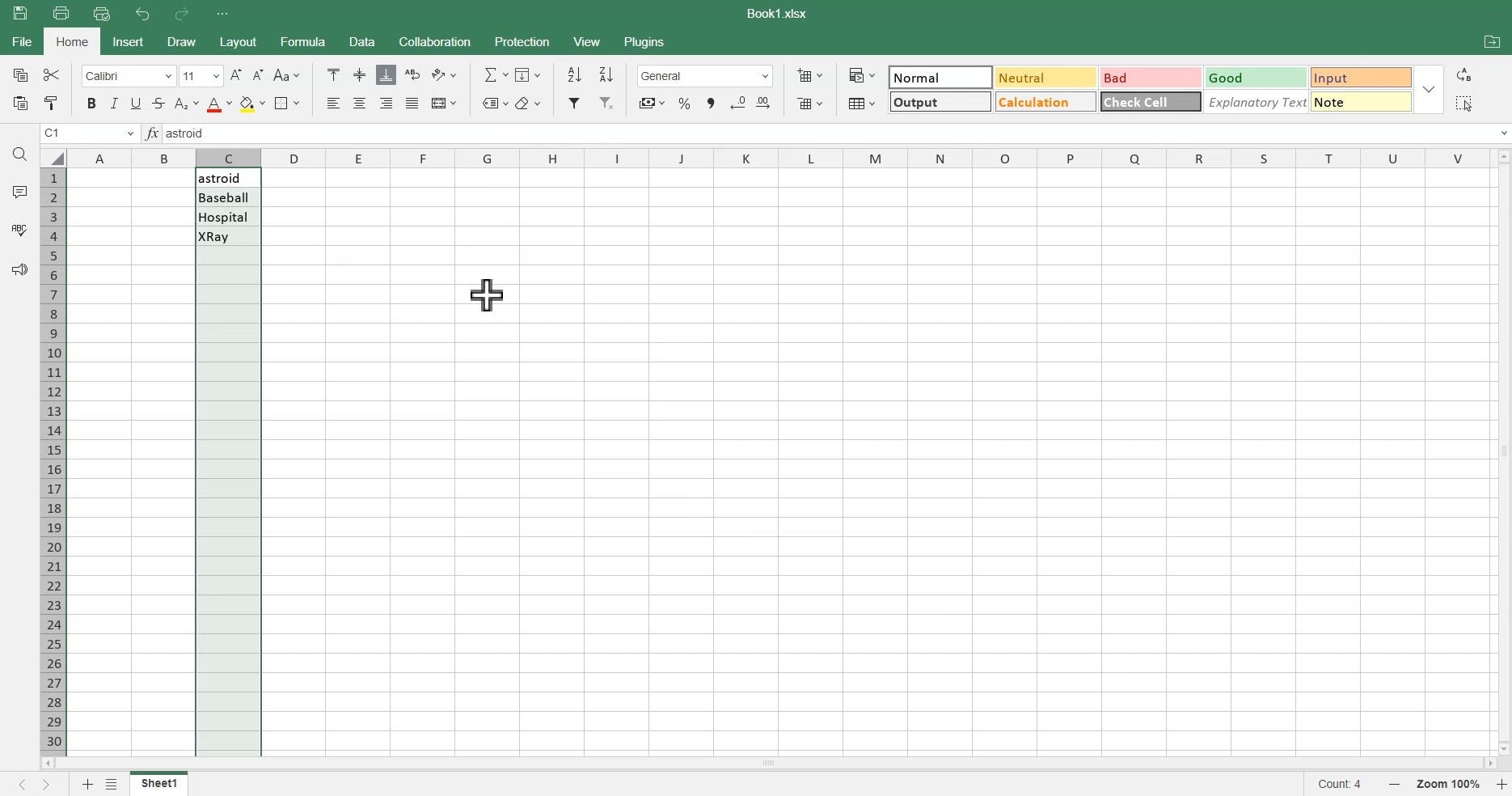 The height and width of the screenshot is (796, 1512). I want to click on Wrap Text, so click(412, 74).